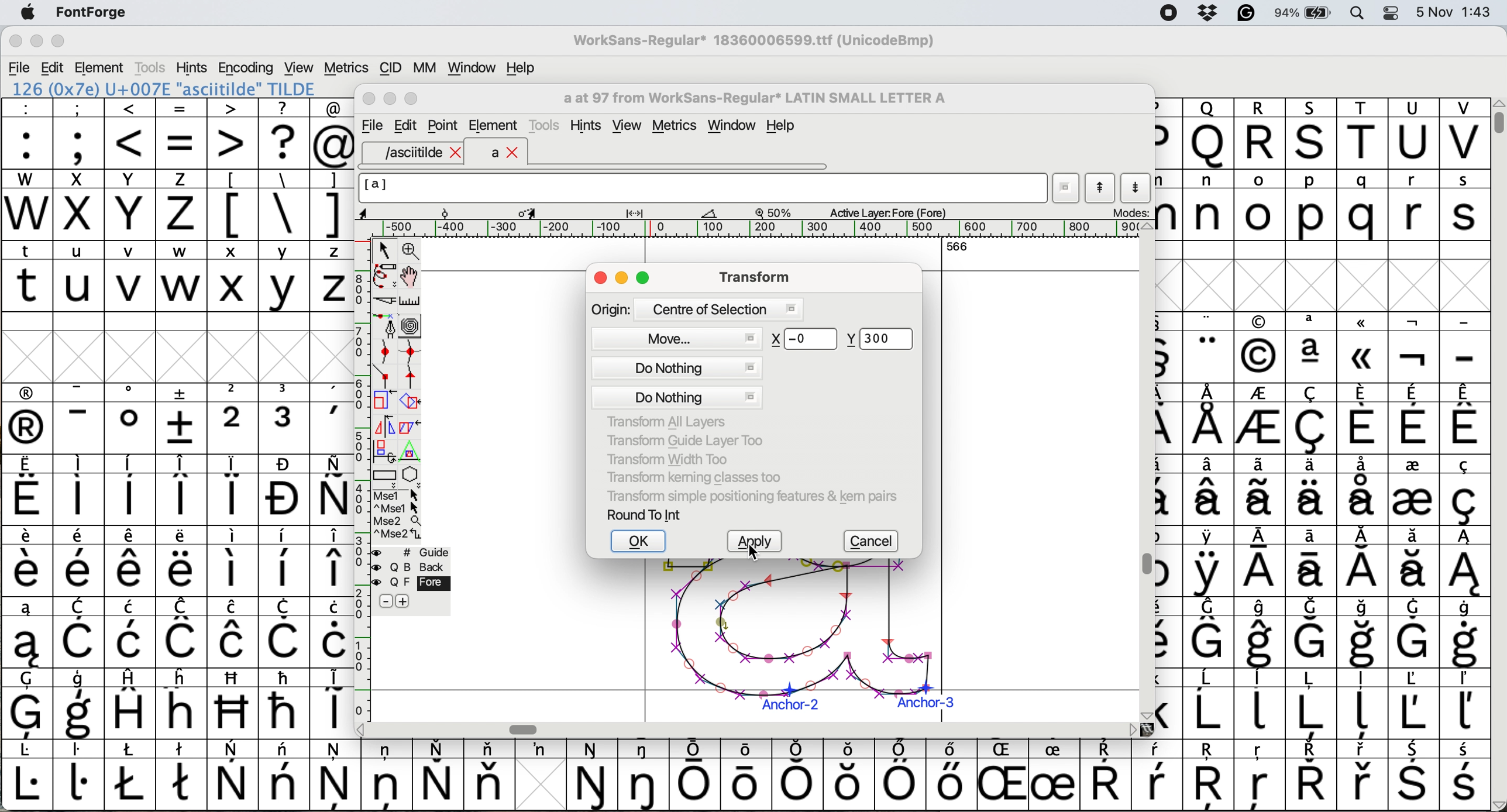  What do you see at coordinates (1261, 421) in the screenshot?
I see `symbol` at bounding box center [1261, 421].